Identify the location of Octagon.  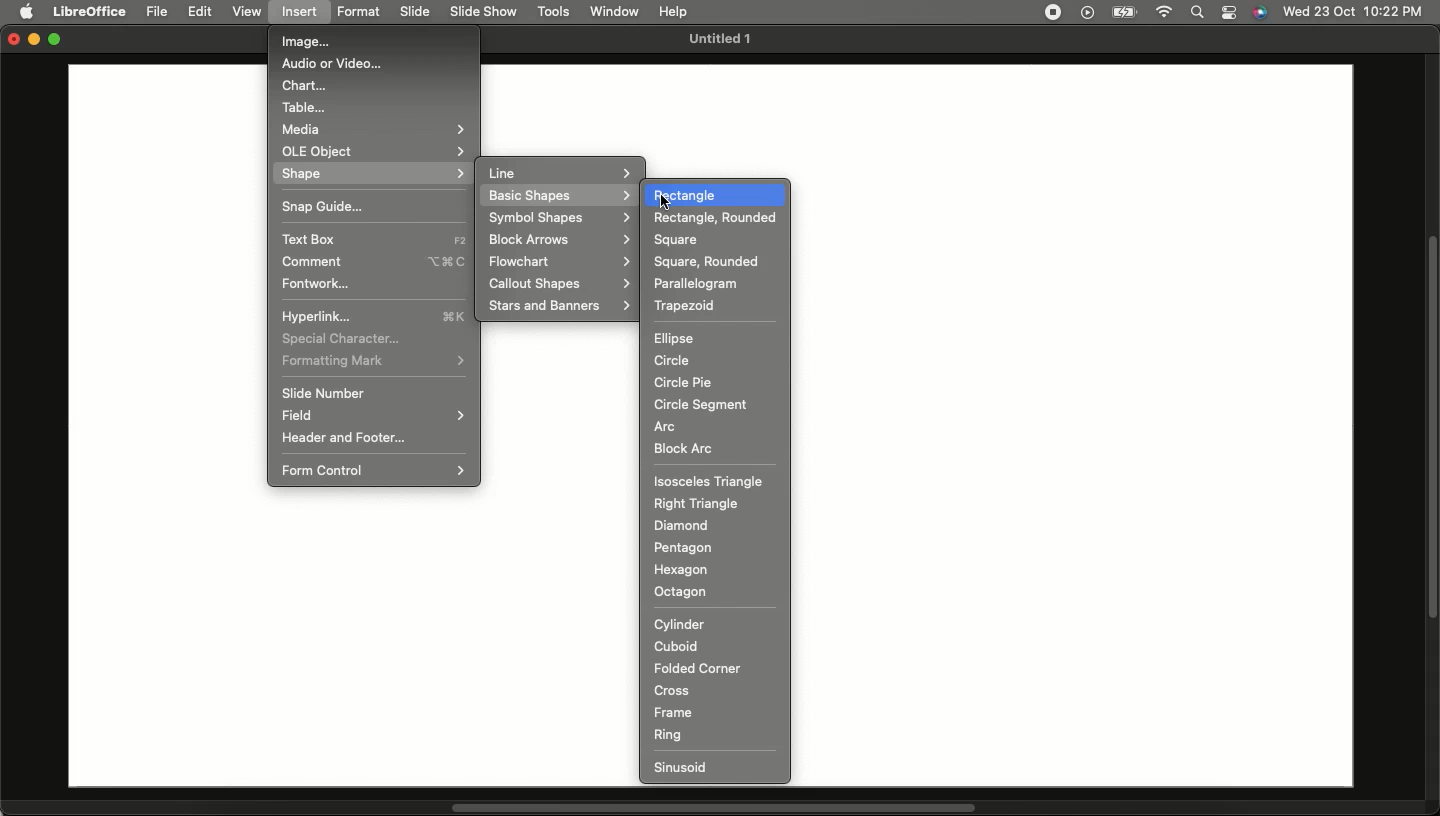
(682, 592).